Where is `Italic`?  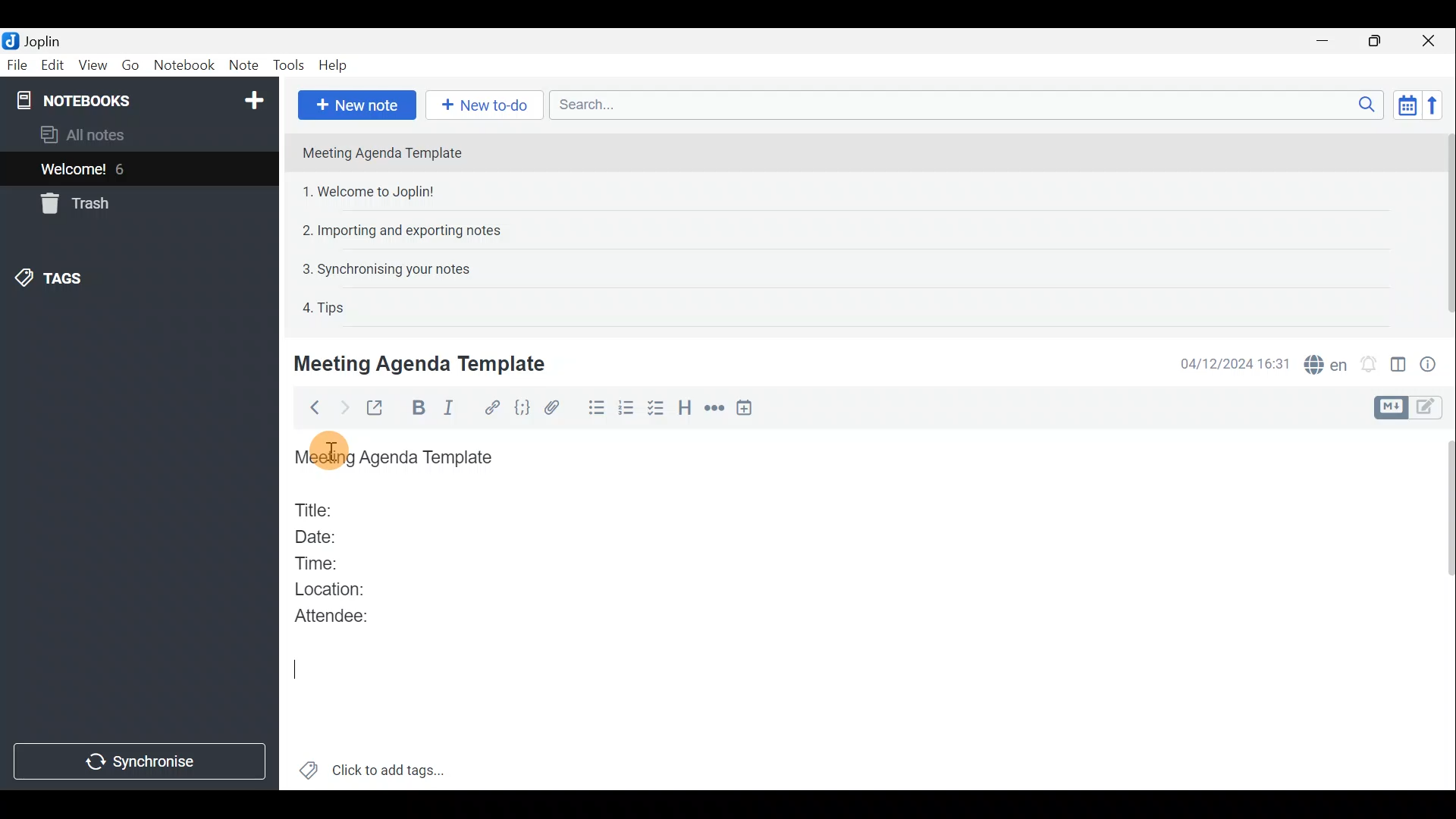 Italic is located at coordinates (456, 408).